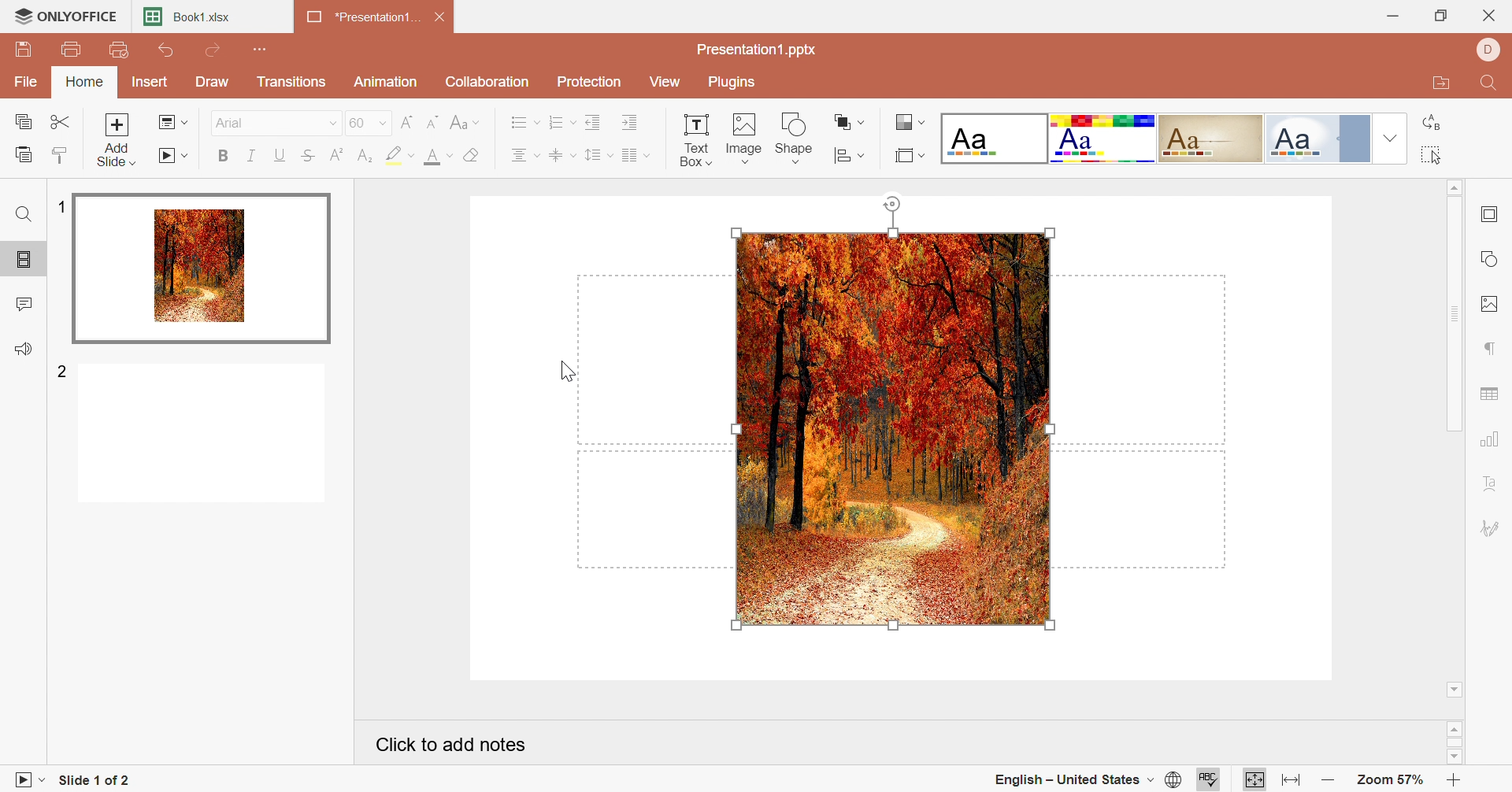 This screenshot has height=792, width=1512. Describe the element at coordinates (669, 81) in the screenshot. I see `View` at that location.